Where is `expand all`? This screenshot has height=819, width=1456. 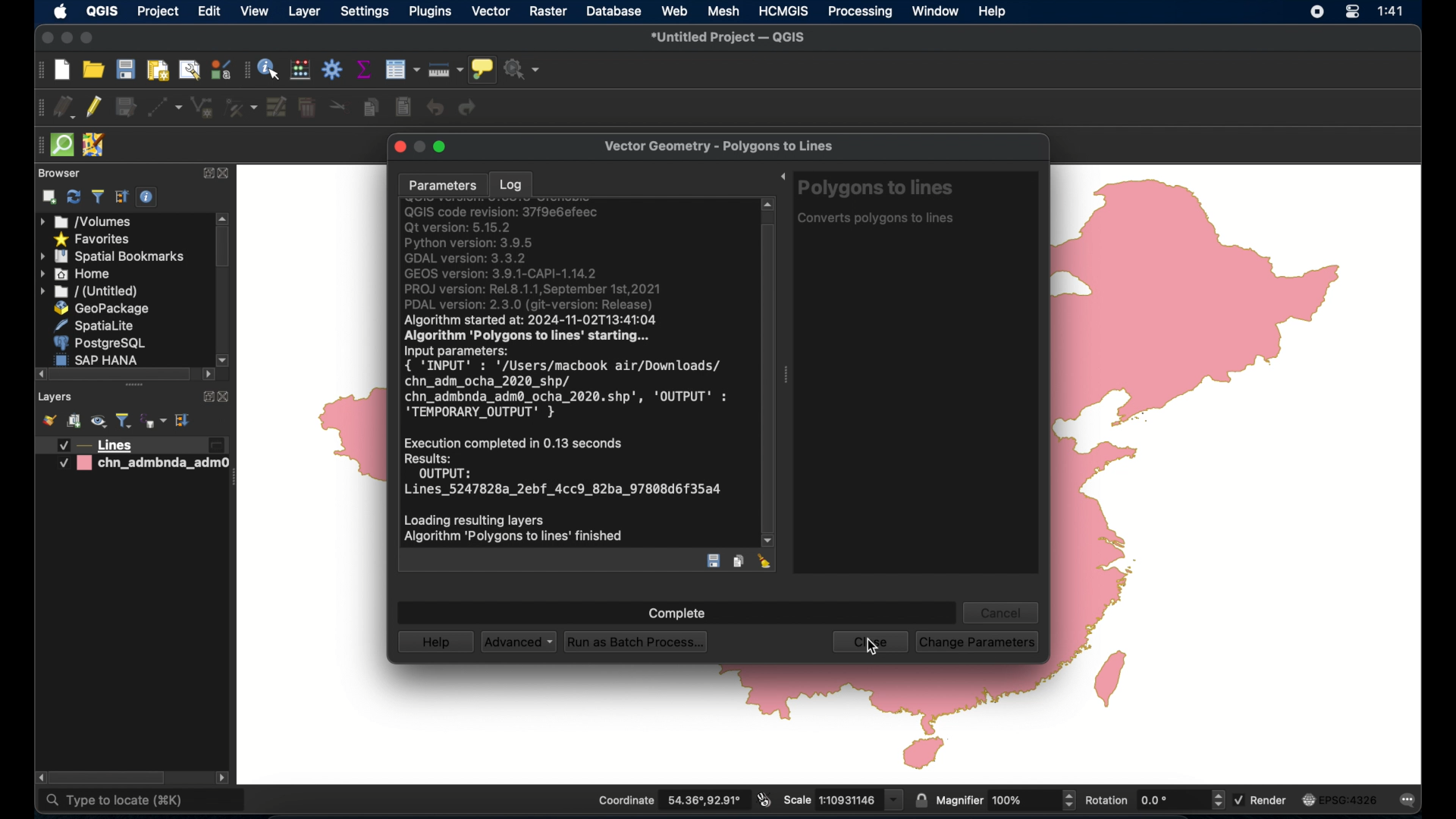 expand all is located at coordinates (184, 420).